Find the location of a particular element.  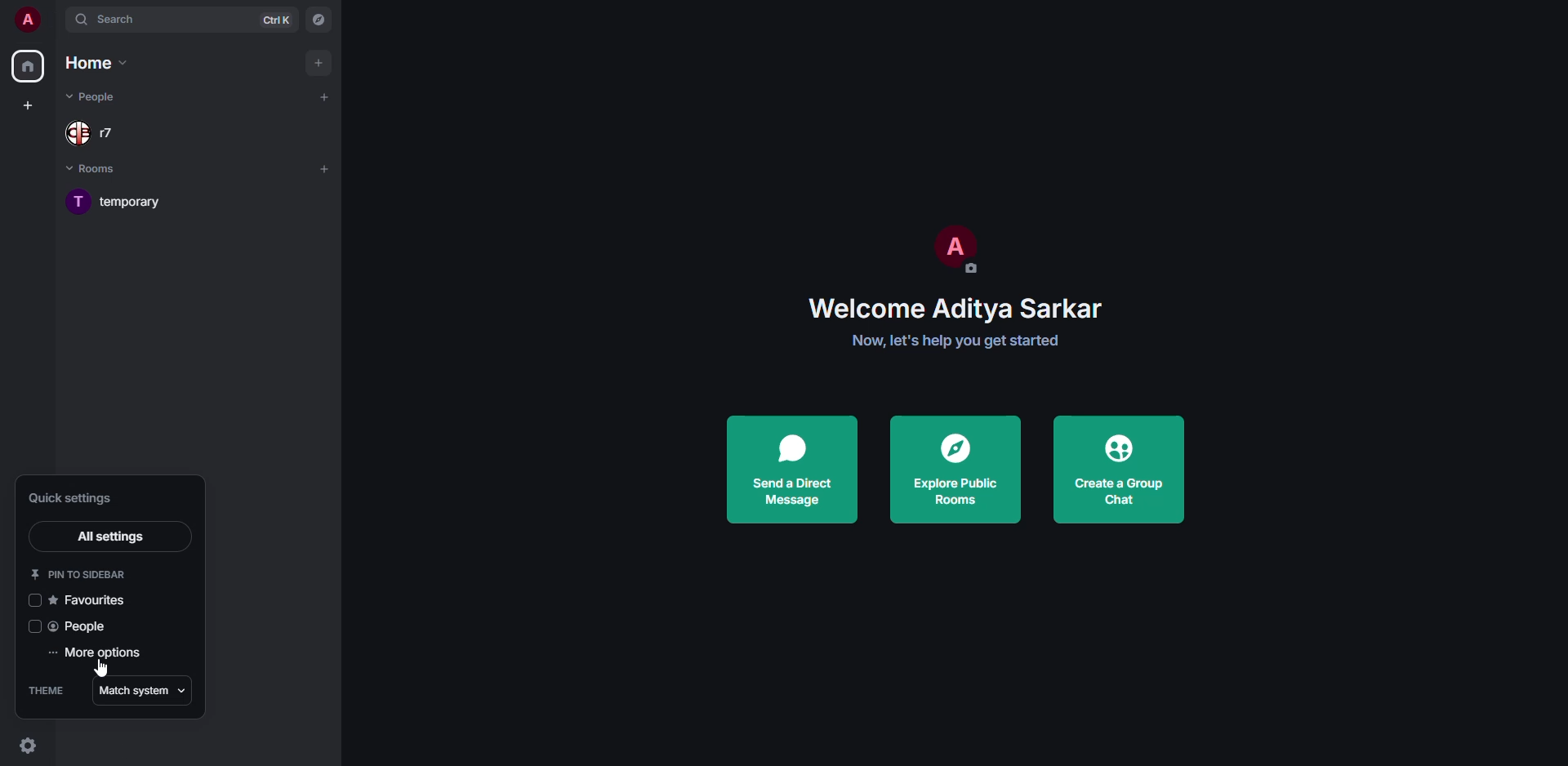

click to enable is located at coordinates (29, 603).